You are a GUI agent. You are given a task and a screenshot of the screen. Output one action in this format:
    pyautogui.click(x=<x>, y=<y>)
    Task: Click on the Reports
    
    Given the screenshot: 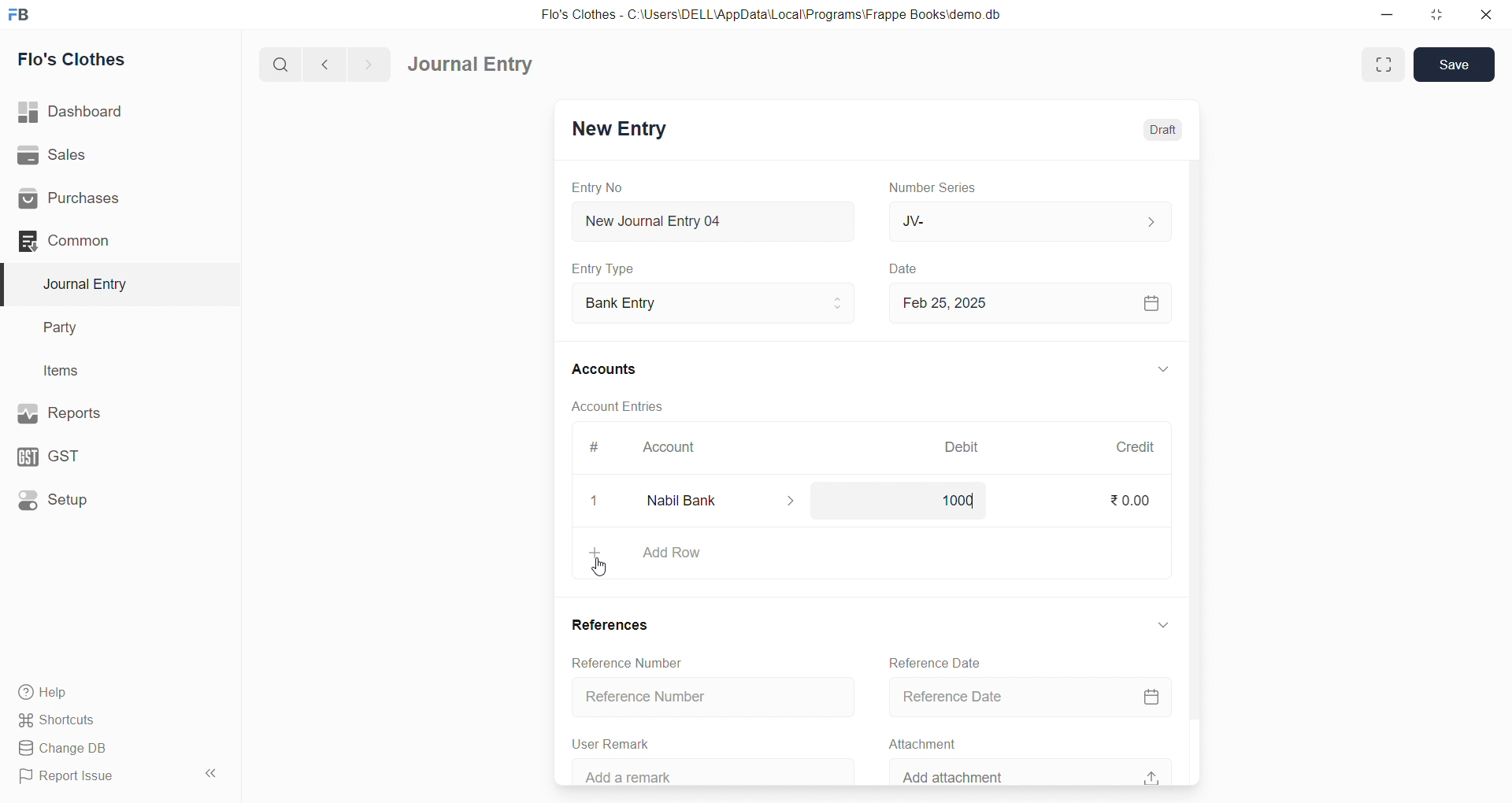 What is the action you would take?
    pyautogui.click(x=110, y=412)
    